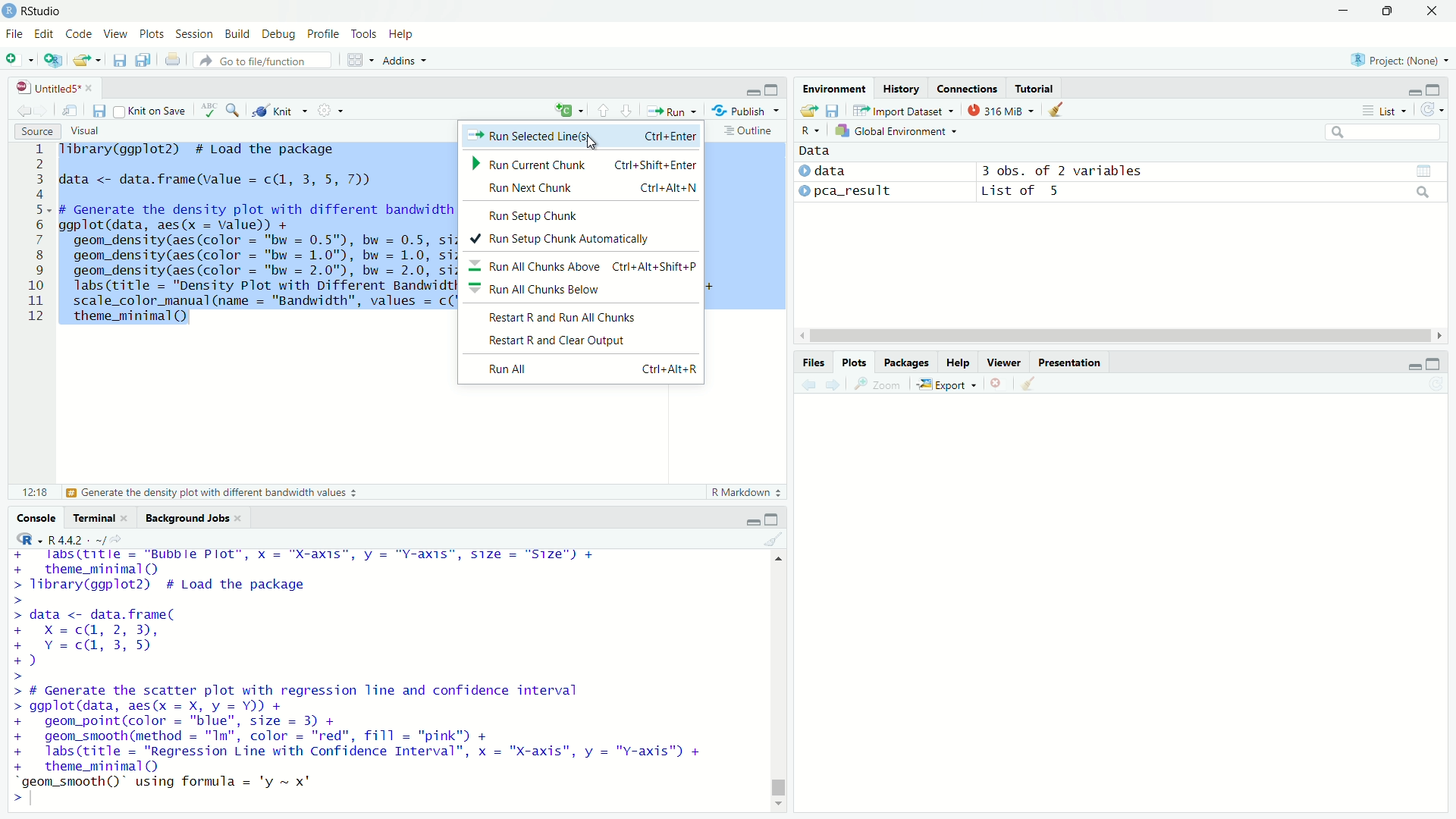  I want to click on close, so click(89, 88).